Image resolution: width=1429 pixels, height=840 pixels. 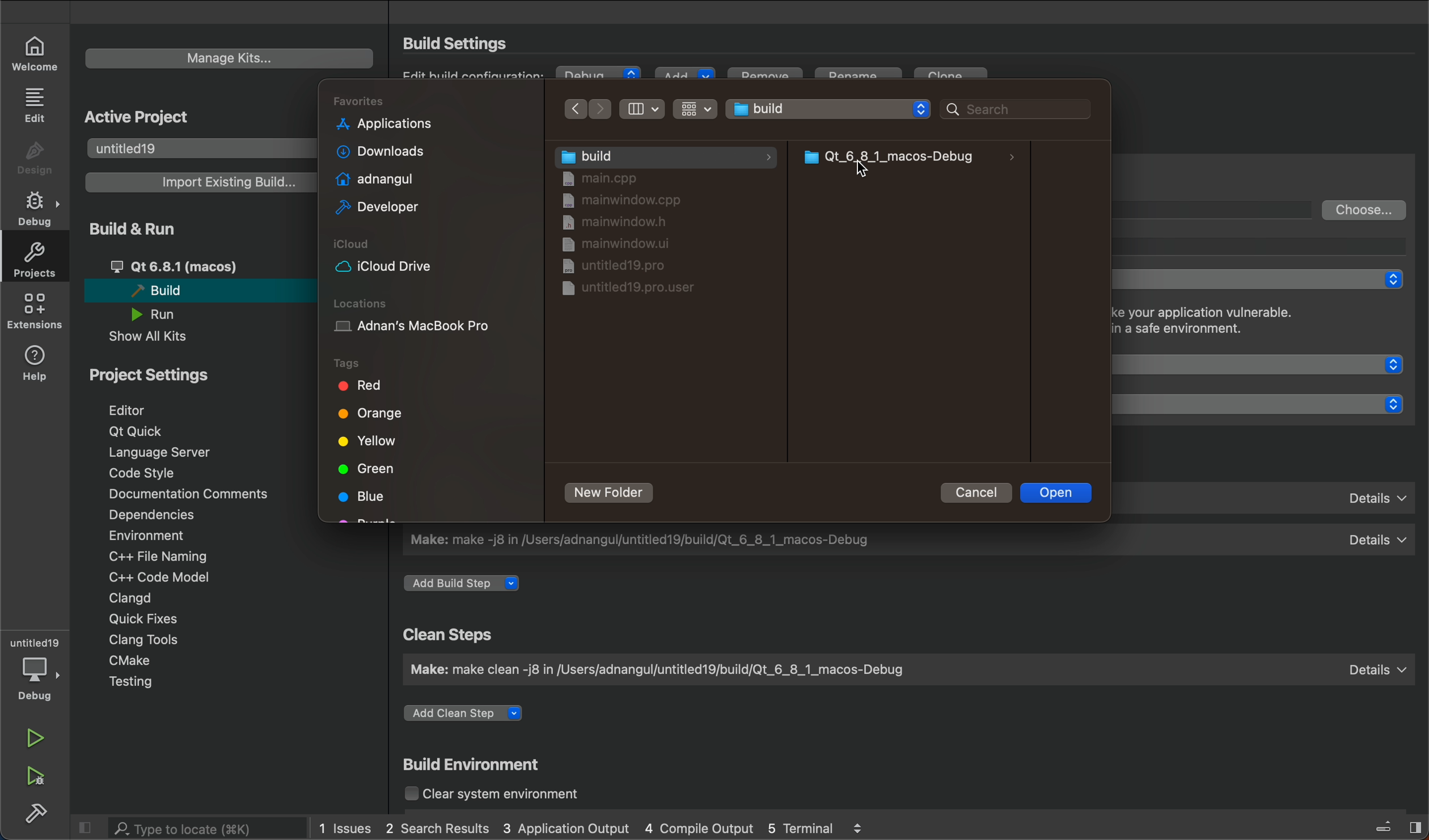 What do you see at coordinates (591, 108) in the screenshot?
I see `arrows` at bounding box center [591, 108].